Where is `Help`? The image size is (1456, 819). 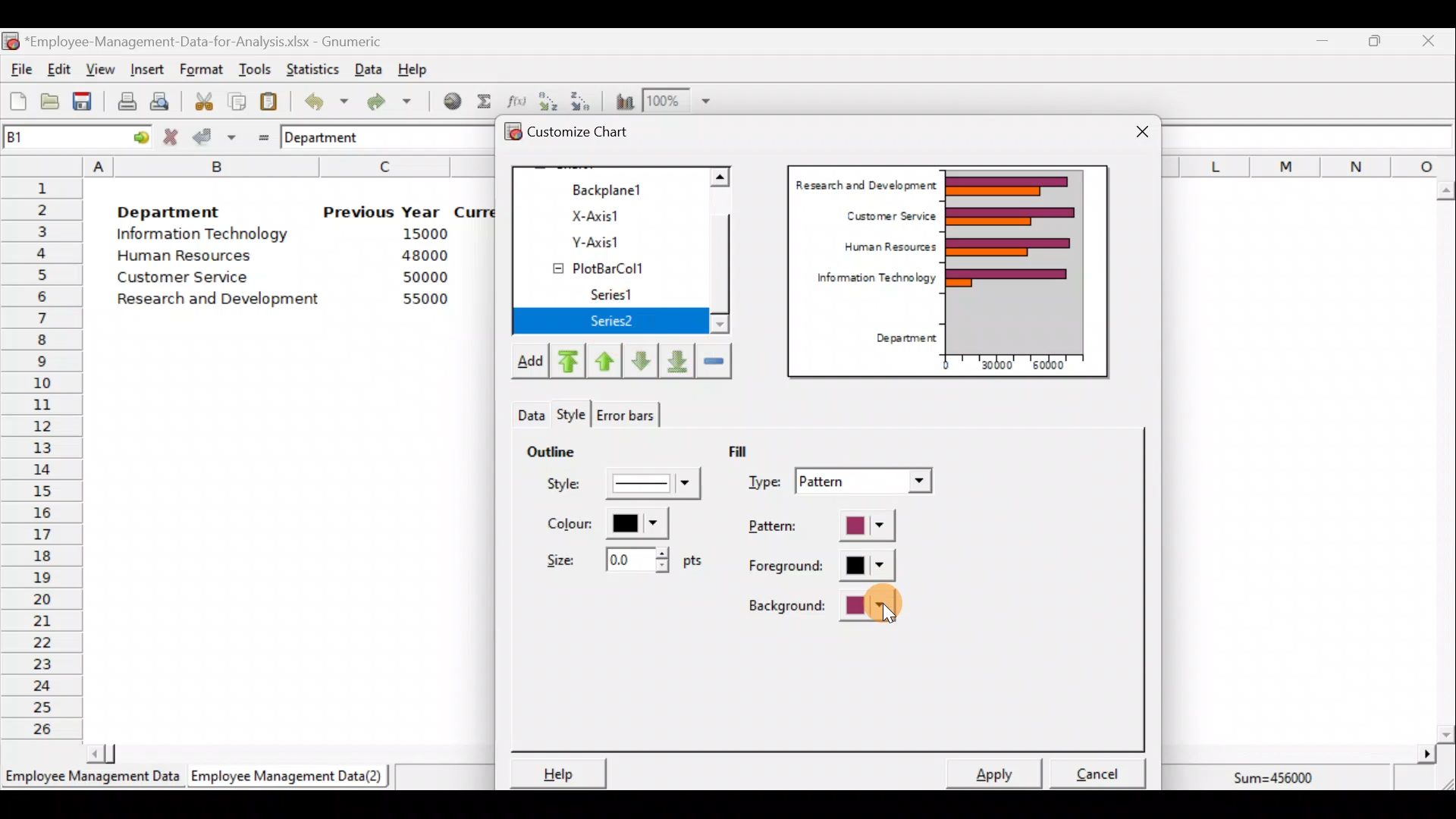
Help is located at coordinates (422, 68).